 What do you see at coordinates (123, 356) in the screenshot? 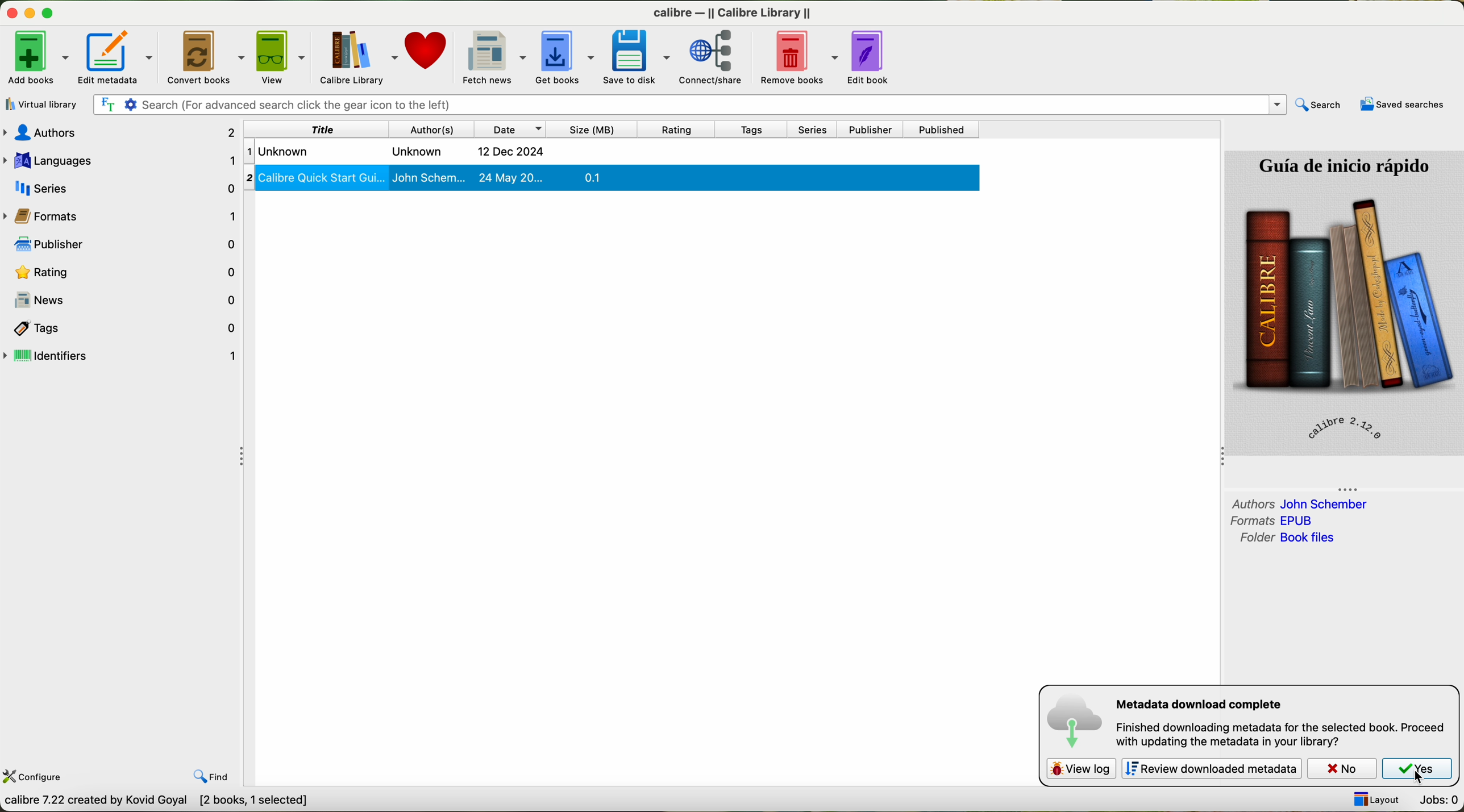
I see `identifiers` at bounding box center [123, 356].